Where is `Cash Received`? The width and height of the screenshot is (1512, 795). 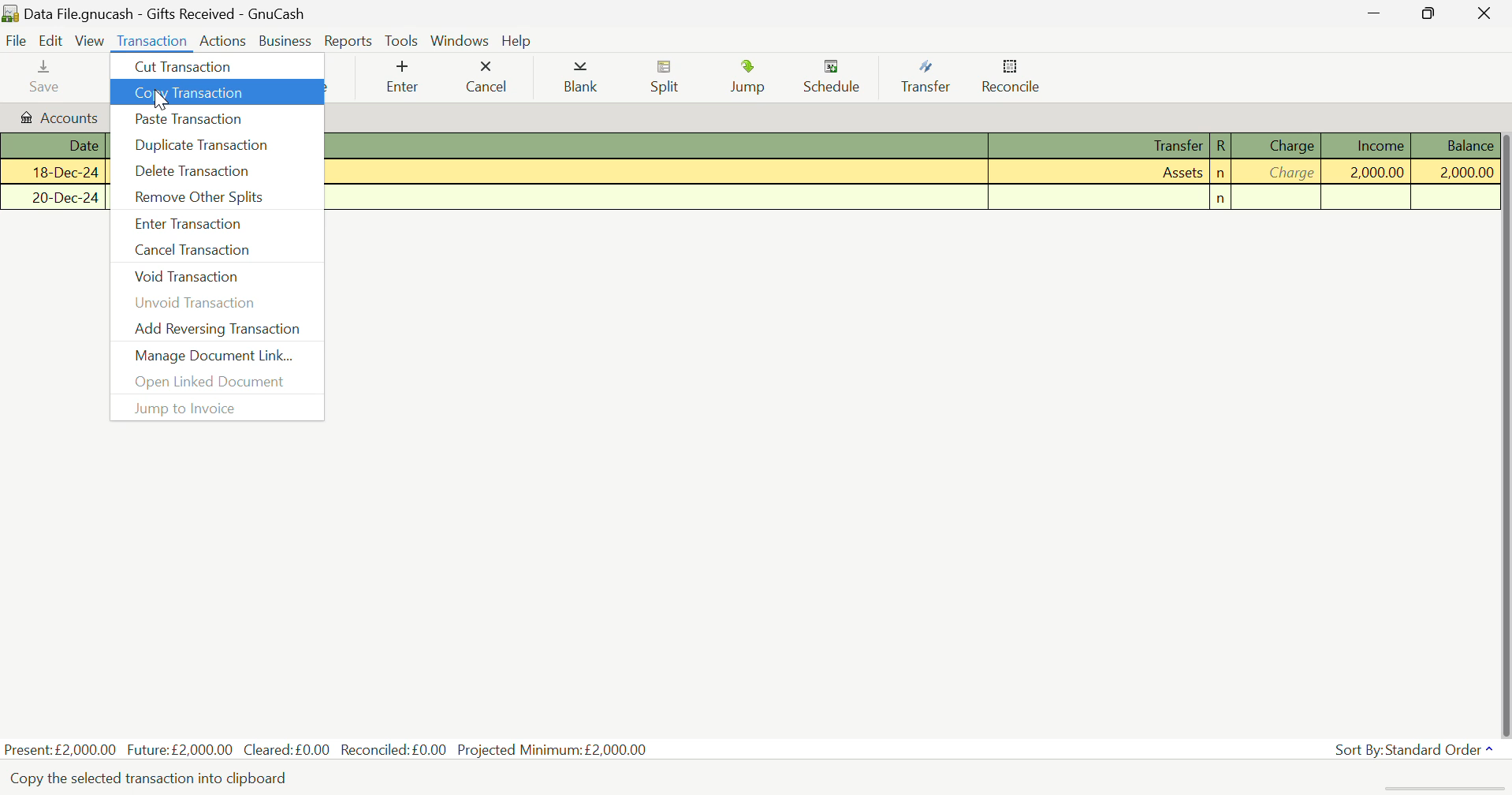 Cash Received is located at coordinates (657, 173).